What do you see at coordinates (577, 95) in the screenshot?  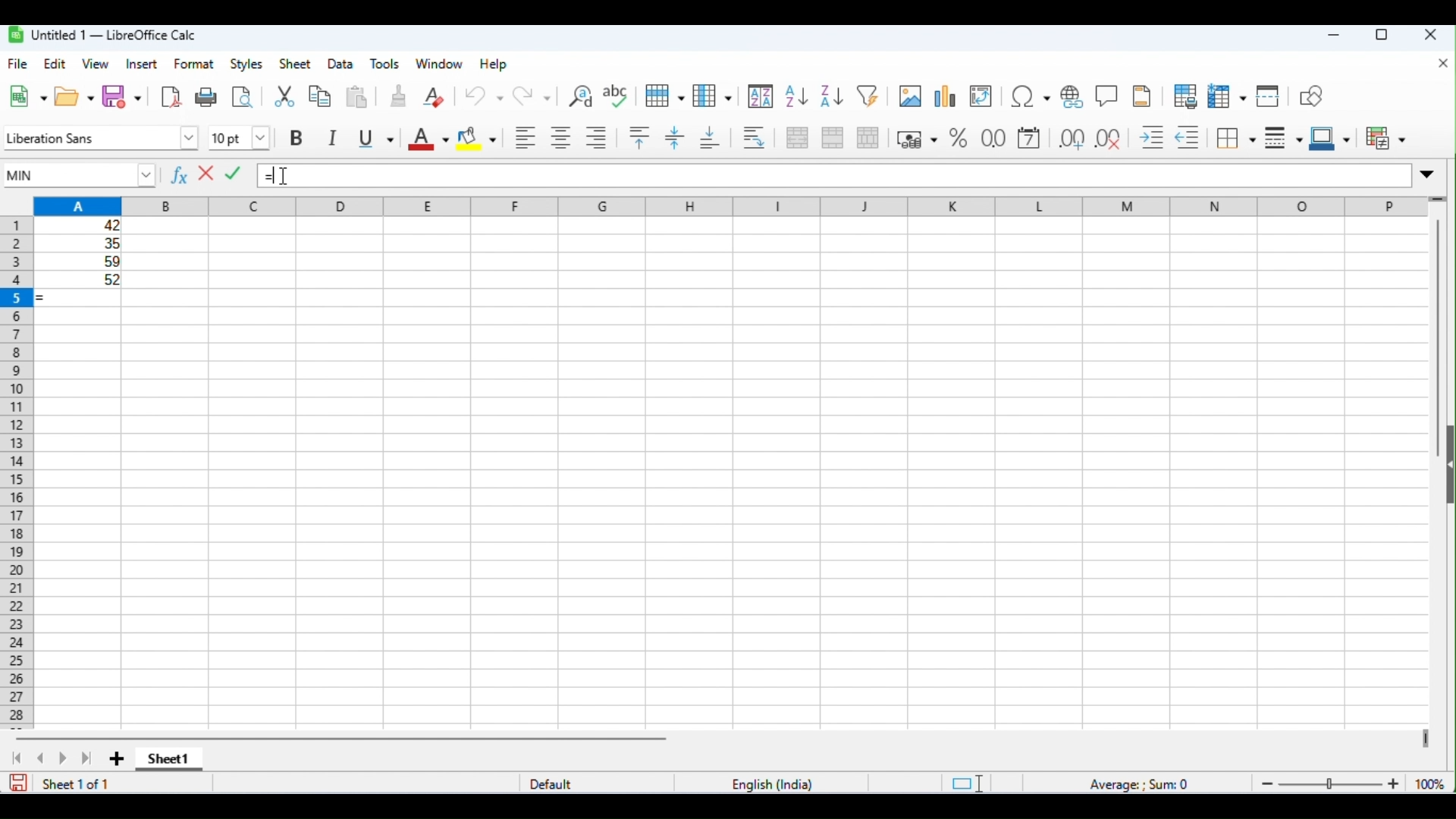 I see `find and replace` at bounding box center [577, 95].